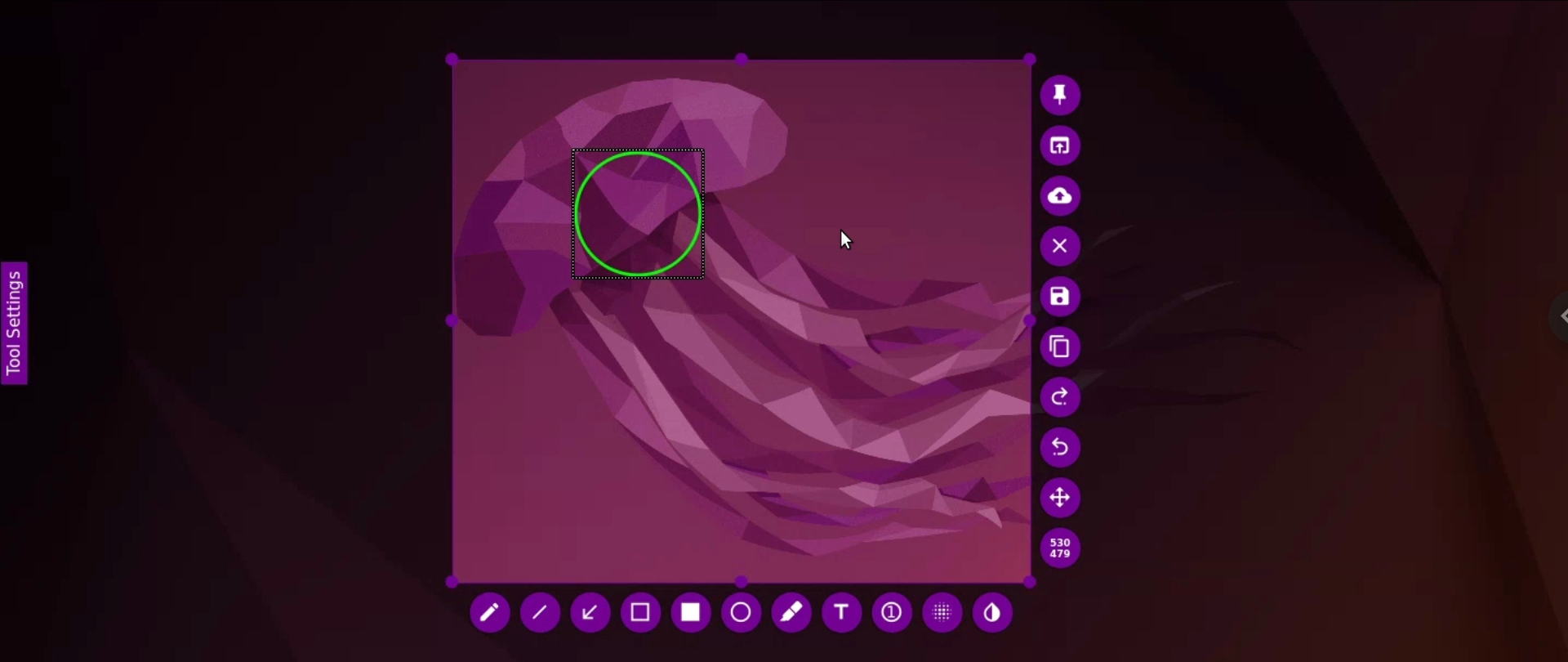 The image size is (1568, 662). I want to click on rectangle, so click(689, 611).